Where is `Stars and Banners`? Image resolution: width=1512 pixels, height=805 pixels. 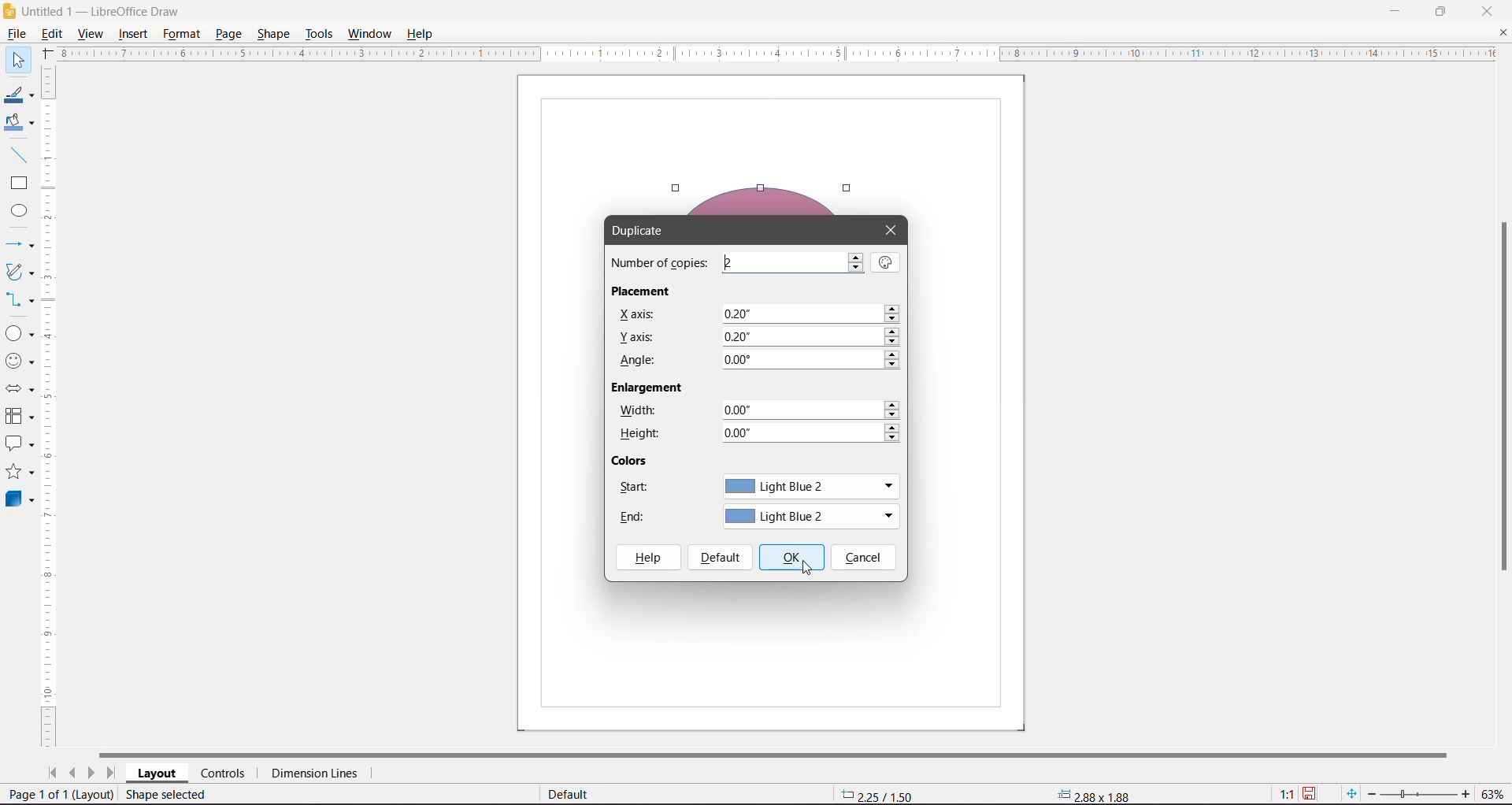 Stars and Banners is located at coordinates (20, 471).